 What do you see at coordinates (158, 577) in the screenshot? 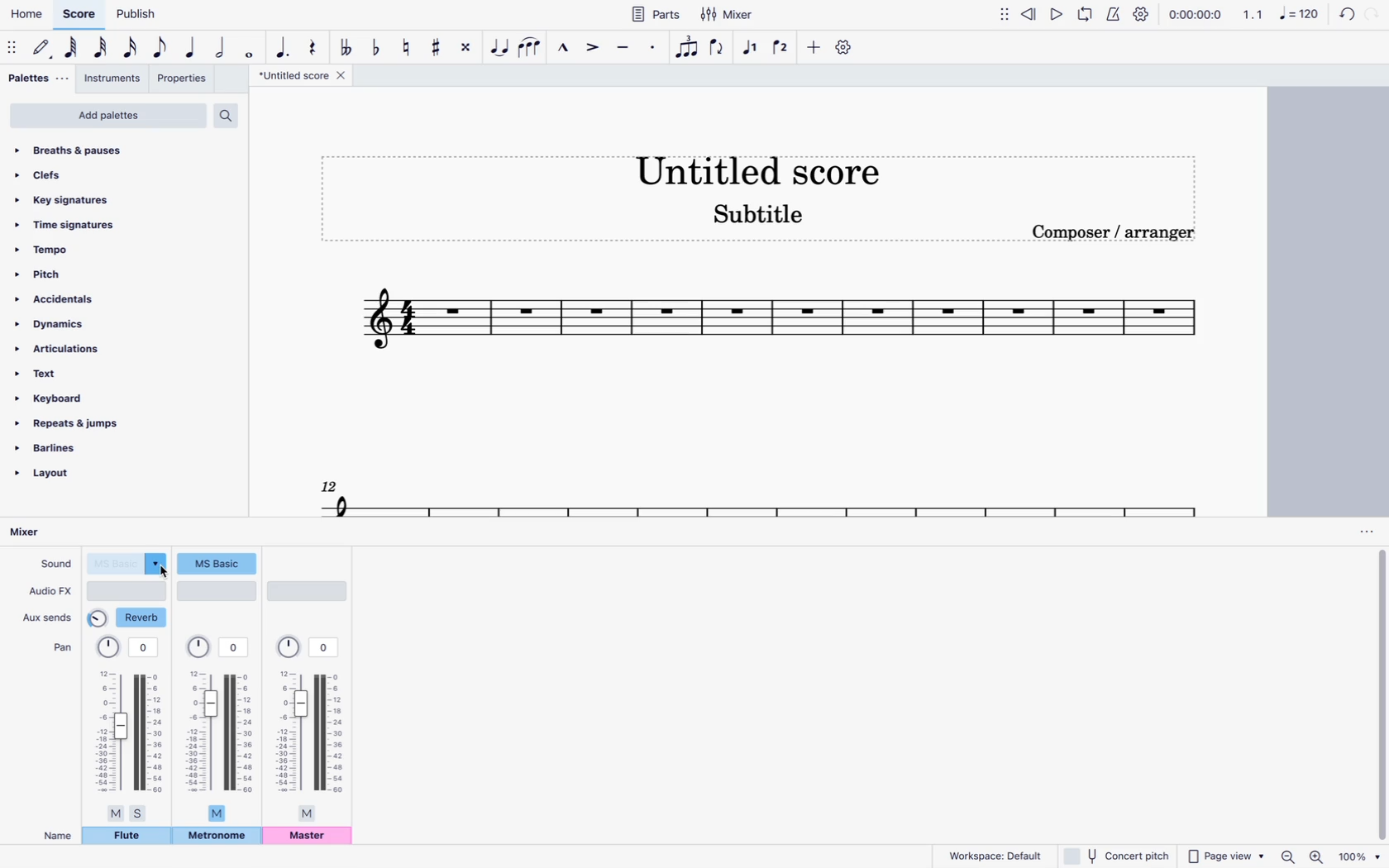
I see `cursor` at bounding box center [158, 577].